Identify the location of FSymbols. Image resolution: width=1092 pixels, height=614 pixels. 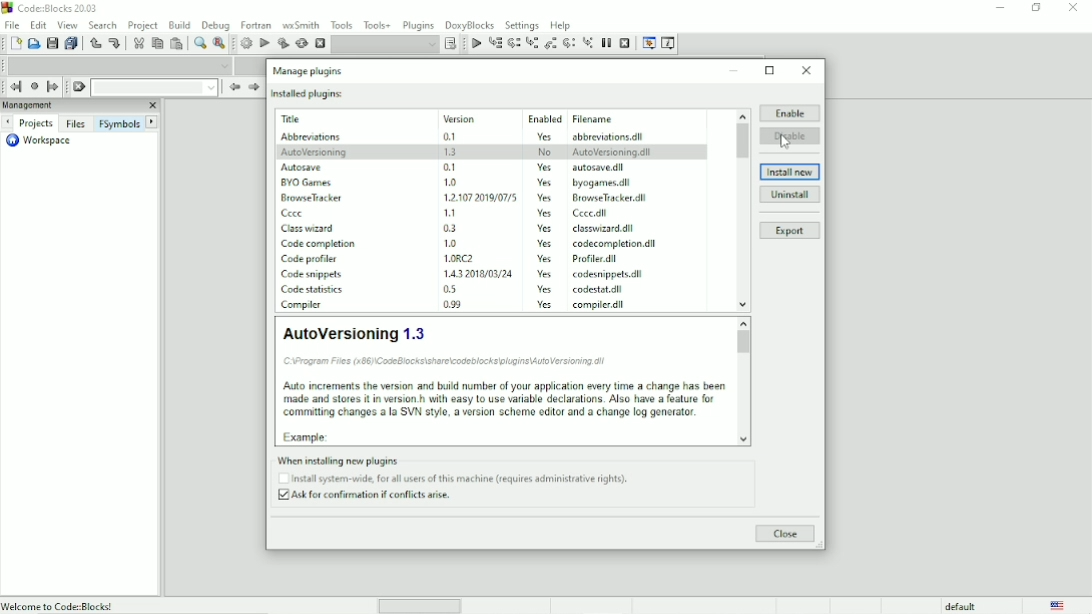
(119, 123).